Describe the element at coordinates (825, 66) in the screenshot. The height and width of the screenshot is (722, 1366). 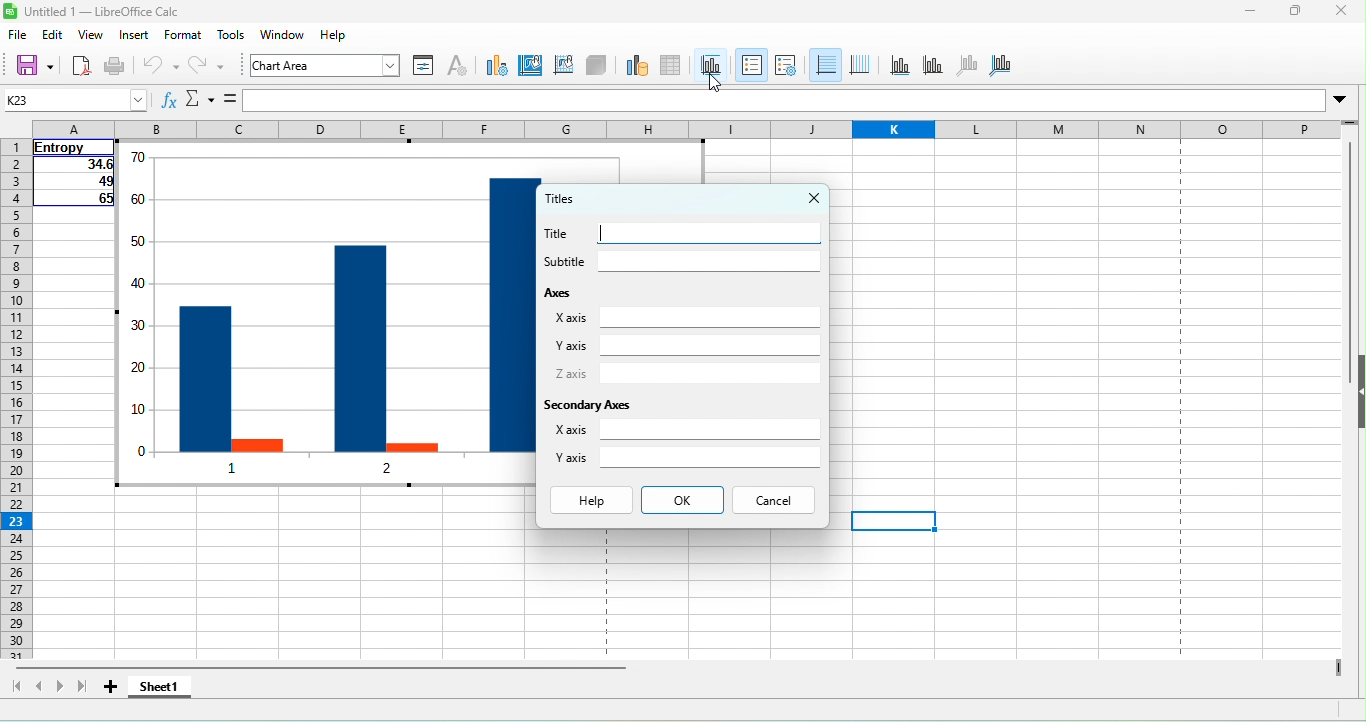
I see `horizontal gids` at that location.